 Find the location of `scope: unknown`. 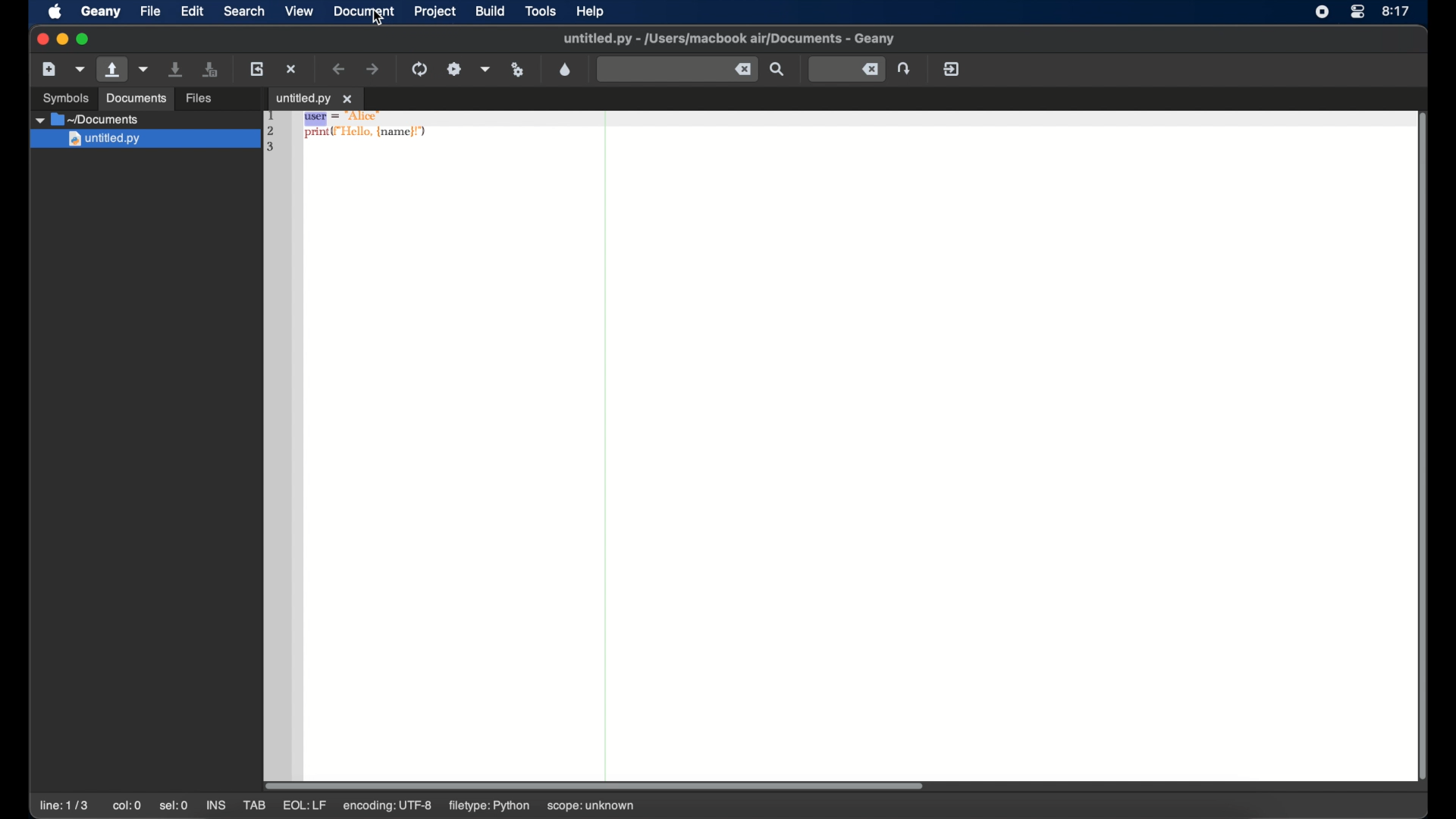

scope: unknown is located at coordinates (595, 803).